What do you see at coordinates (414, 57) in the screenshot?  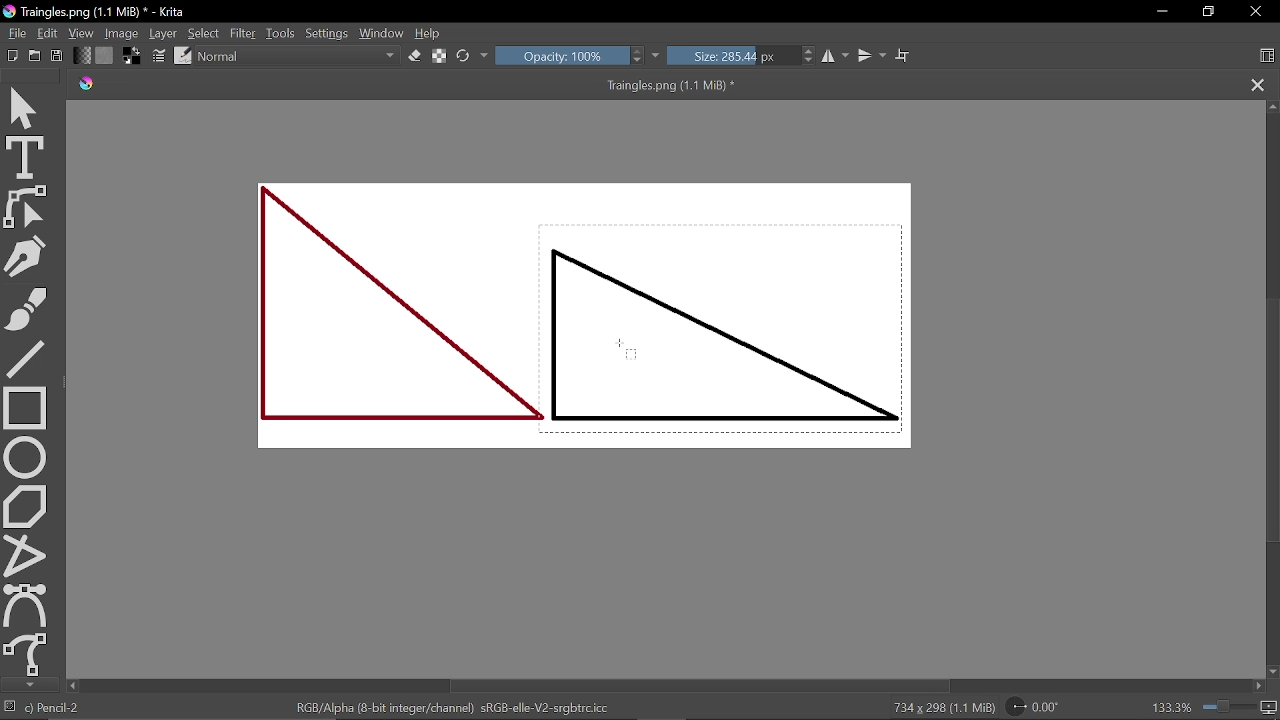 I see `Eraser` at bounding box center [414, 57].